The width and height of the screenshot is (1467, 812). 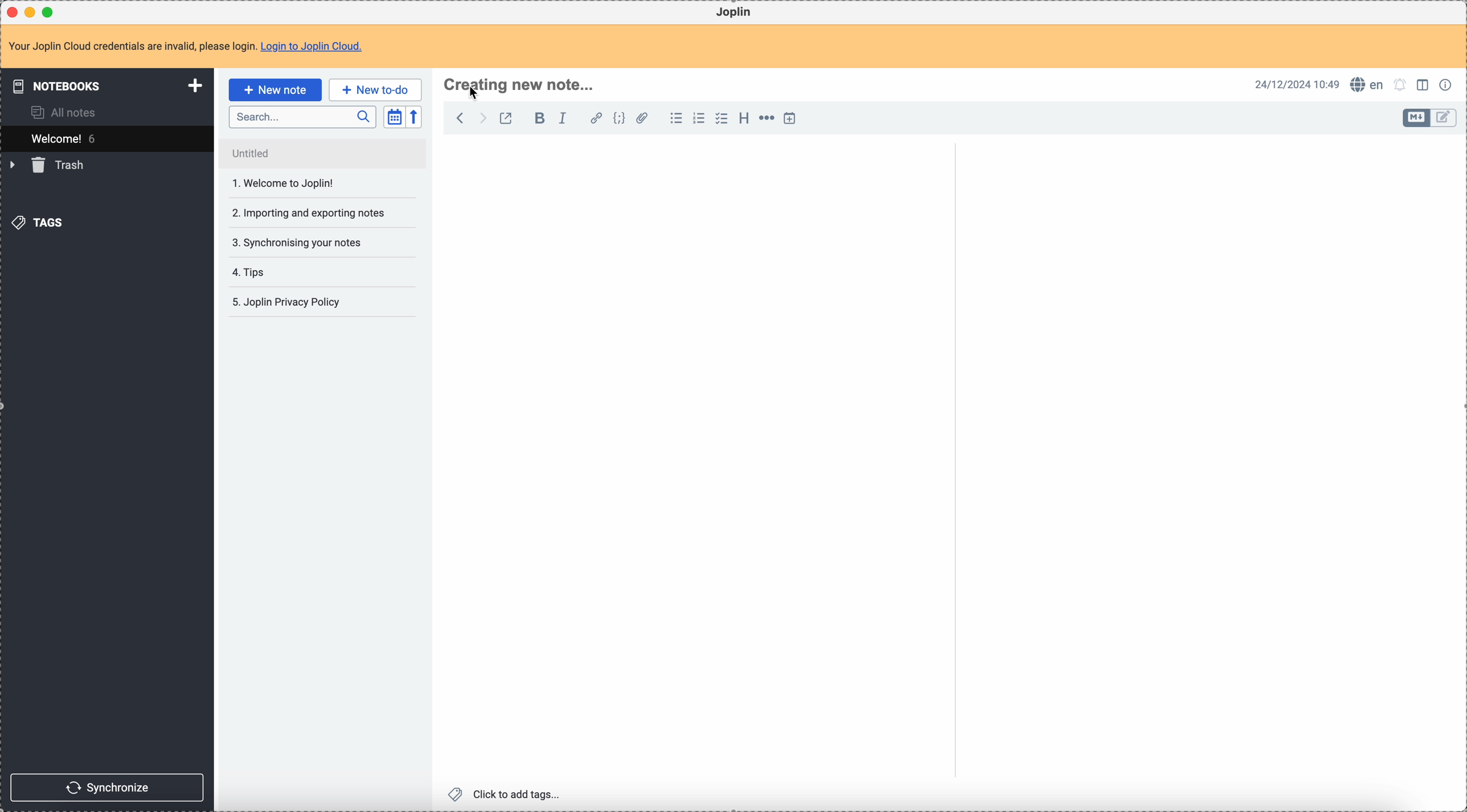 I want to click on welcome, so click(x=106, y=138).